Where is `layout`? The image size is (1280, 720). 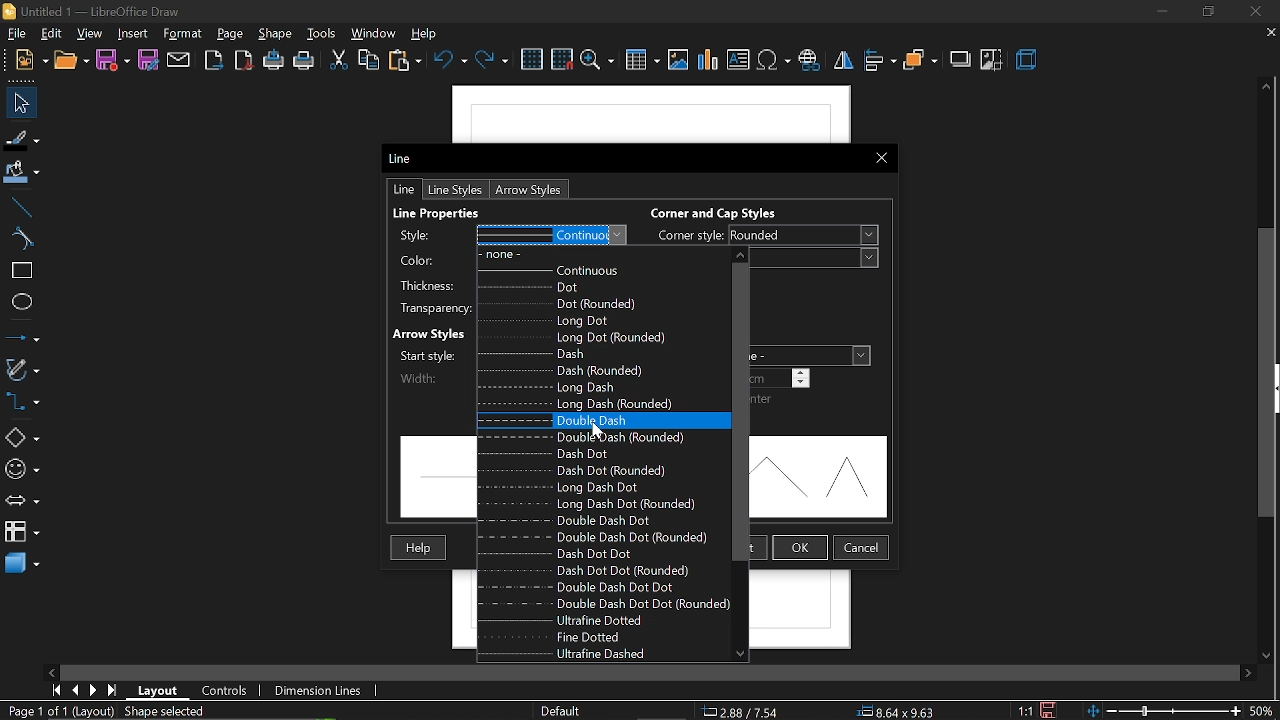
layout is located at coordinates (158, 691).